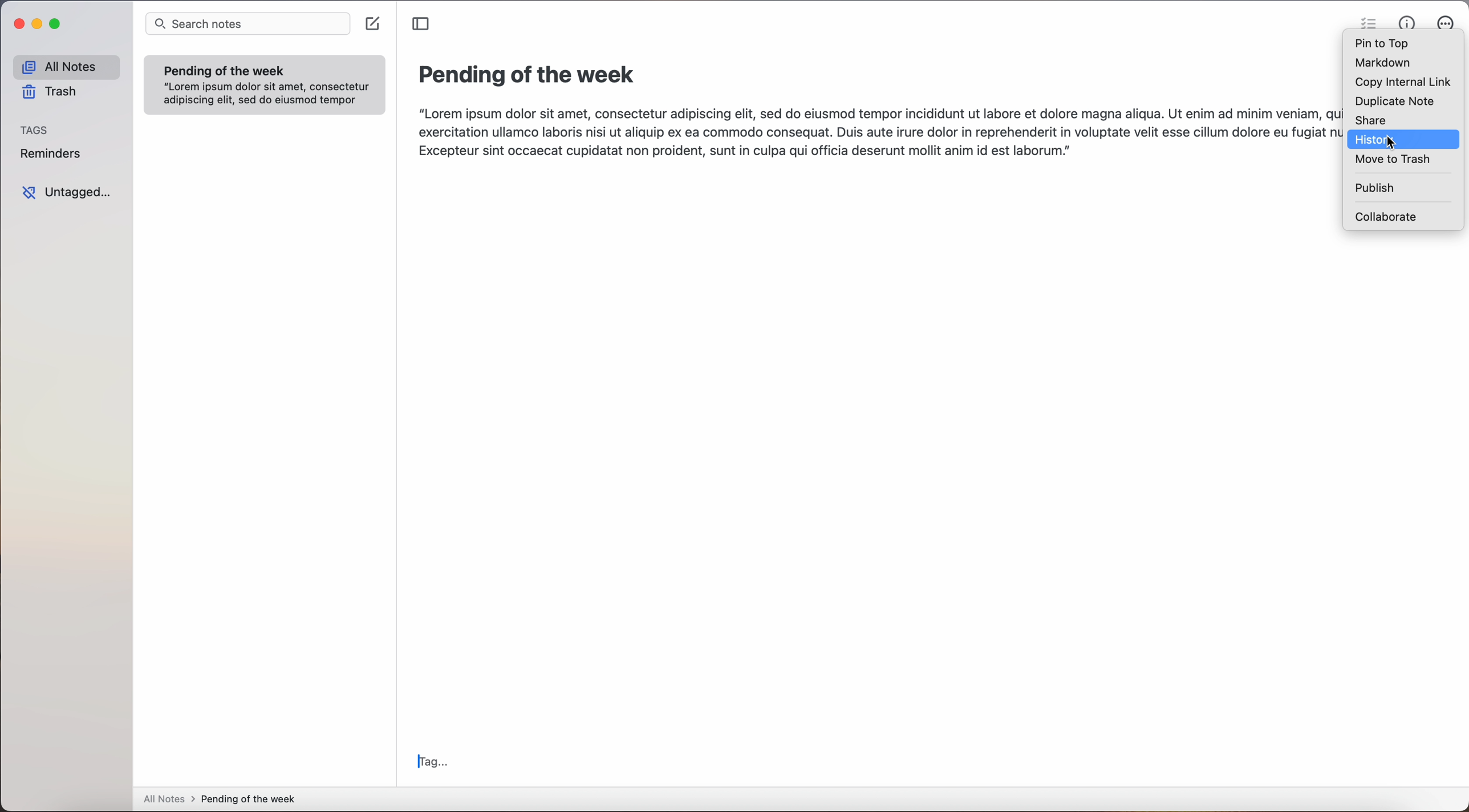  What do you see at coordinates (1367, 140) in the screenshot?
I see `history` at bounding box center [1367, 140].